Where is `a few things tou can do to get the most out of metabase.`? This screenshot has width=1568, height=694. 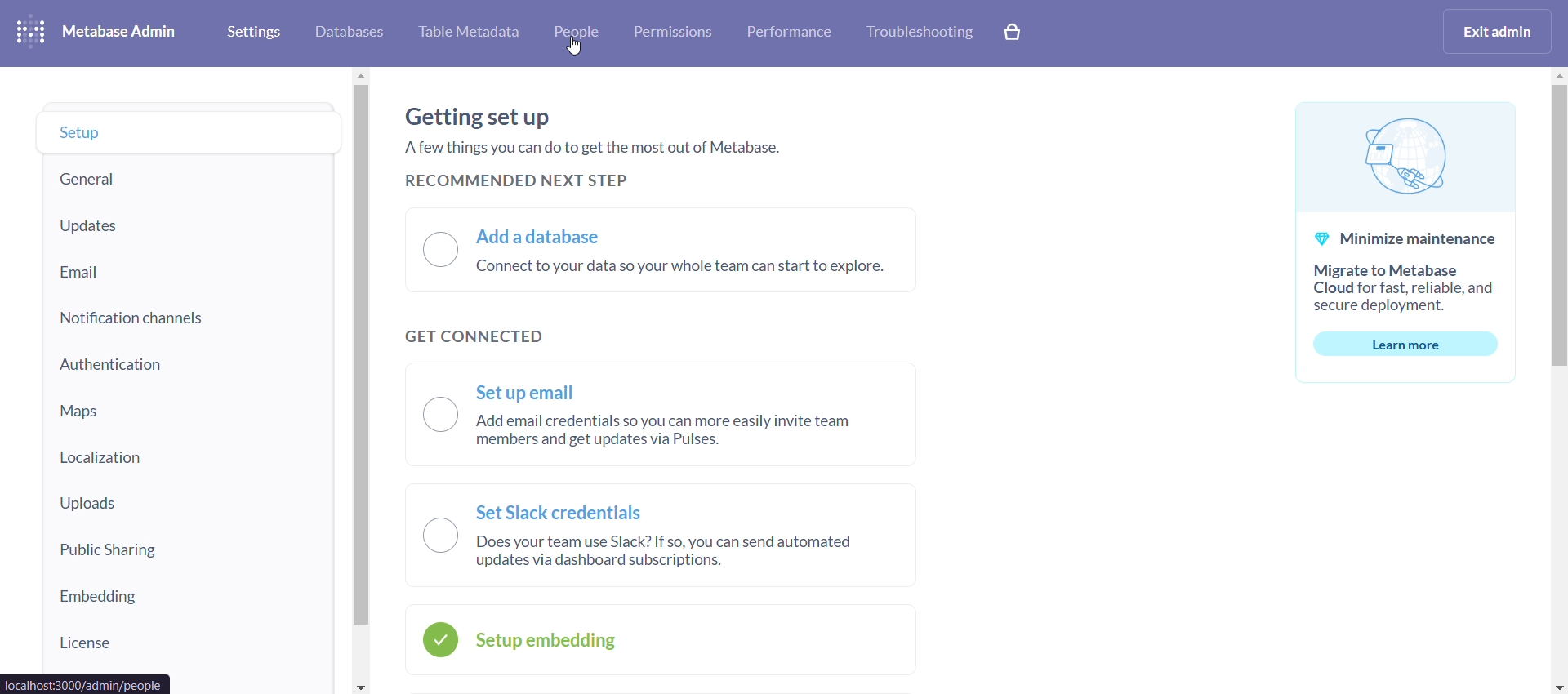 a few things tou can do to get the most out of metabase. is located at coordinates (599, 145).